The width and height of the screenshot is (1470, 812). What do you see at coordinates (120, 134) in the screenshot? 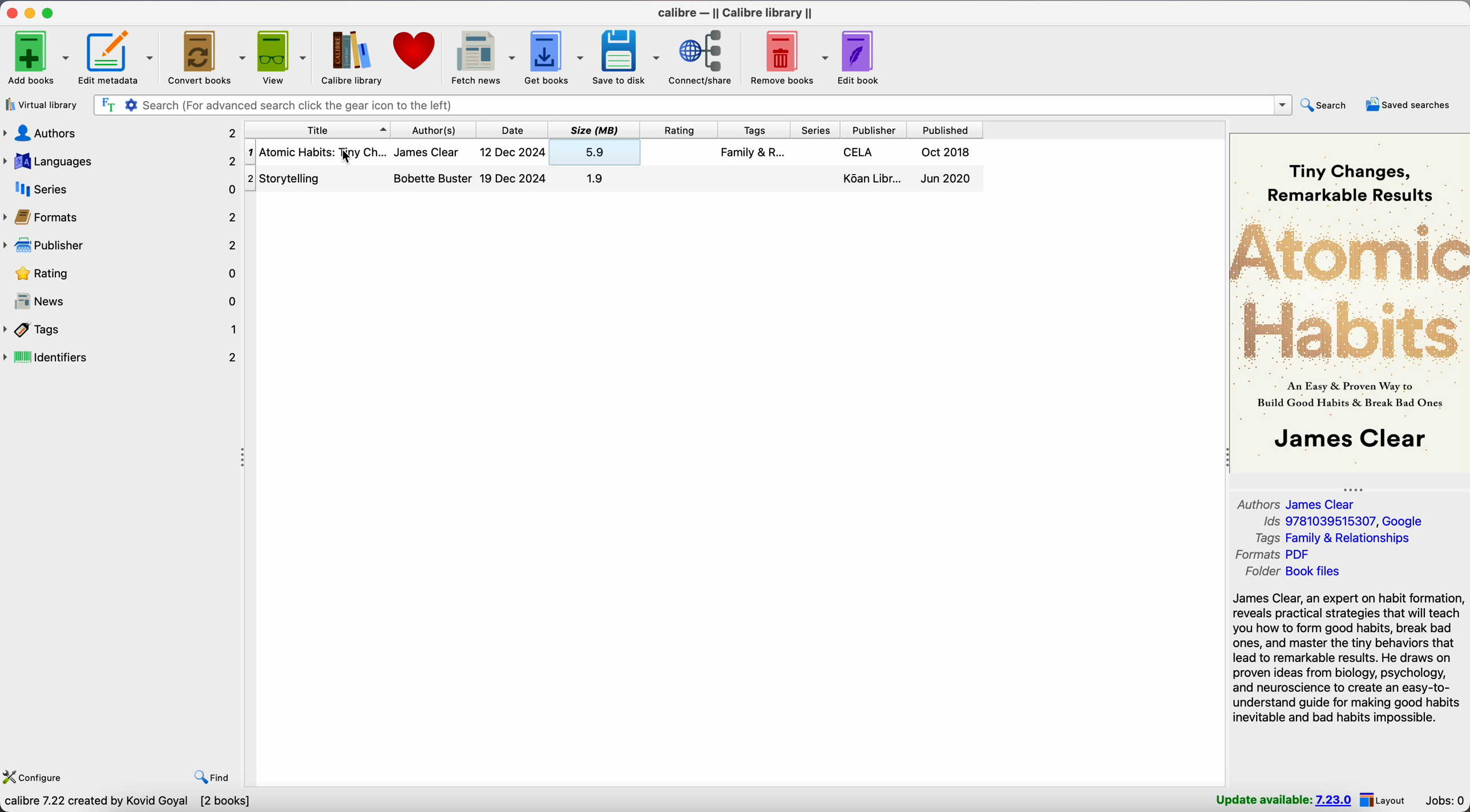
I see `authors` at bounding box center [120, 134].